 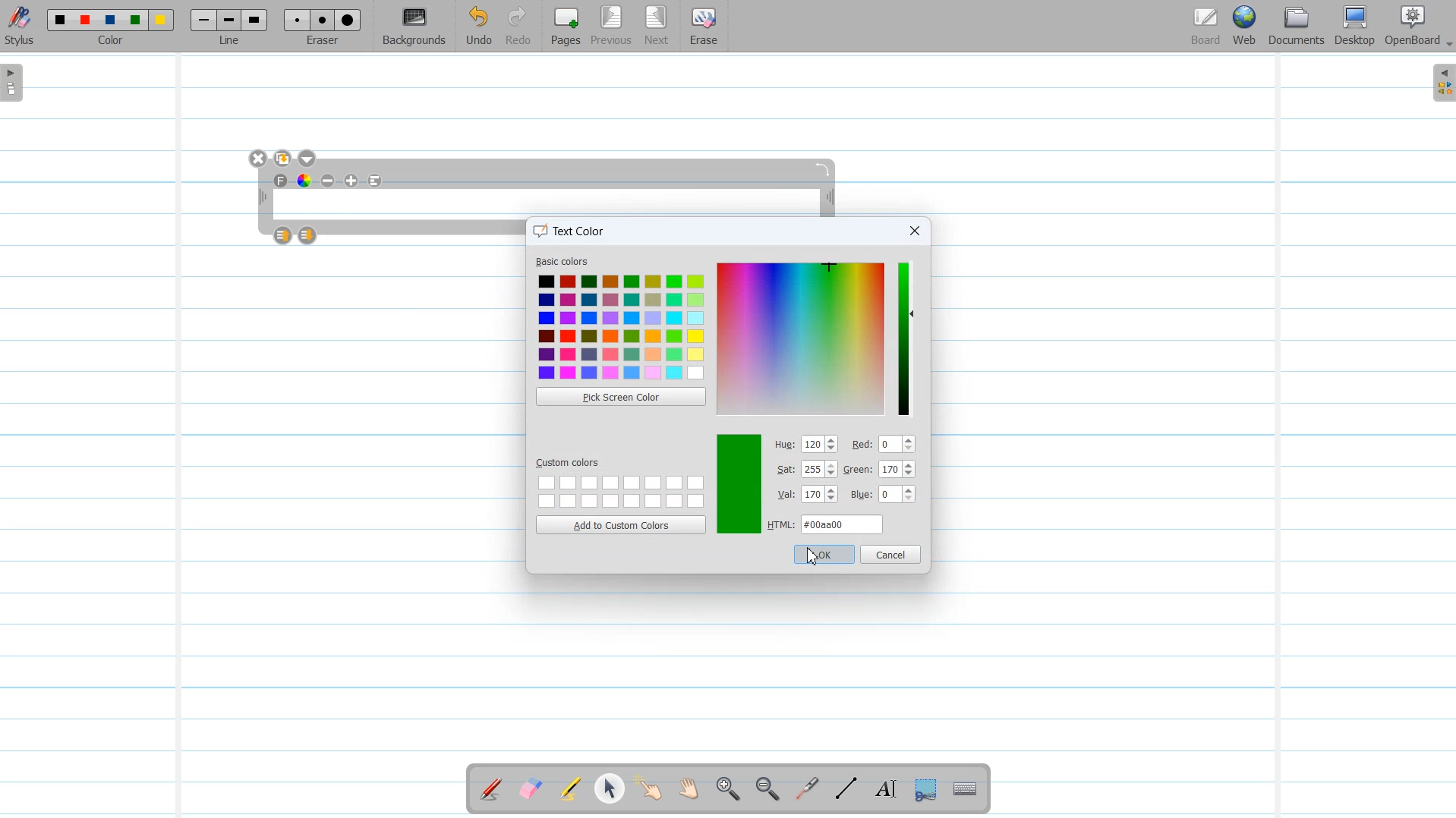 What do you see at coordinates (824, 168) in the screenshot?
I see `Rotate Text window` at bounding box center [824, 168].